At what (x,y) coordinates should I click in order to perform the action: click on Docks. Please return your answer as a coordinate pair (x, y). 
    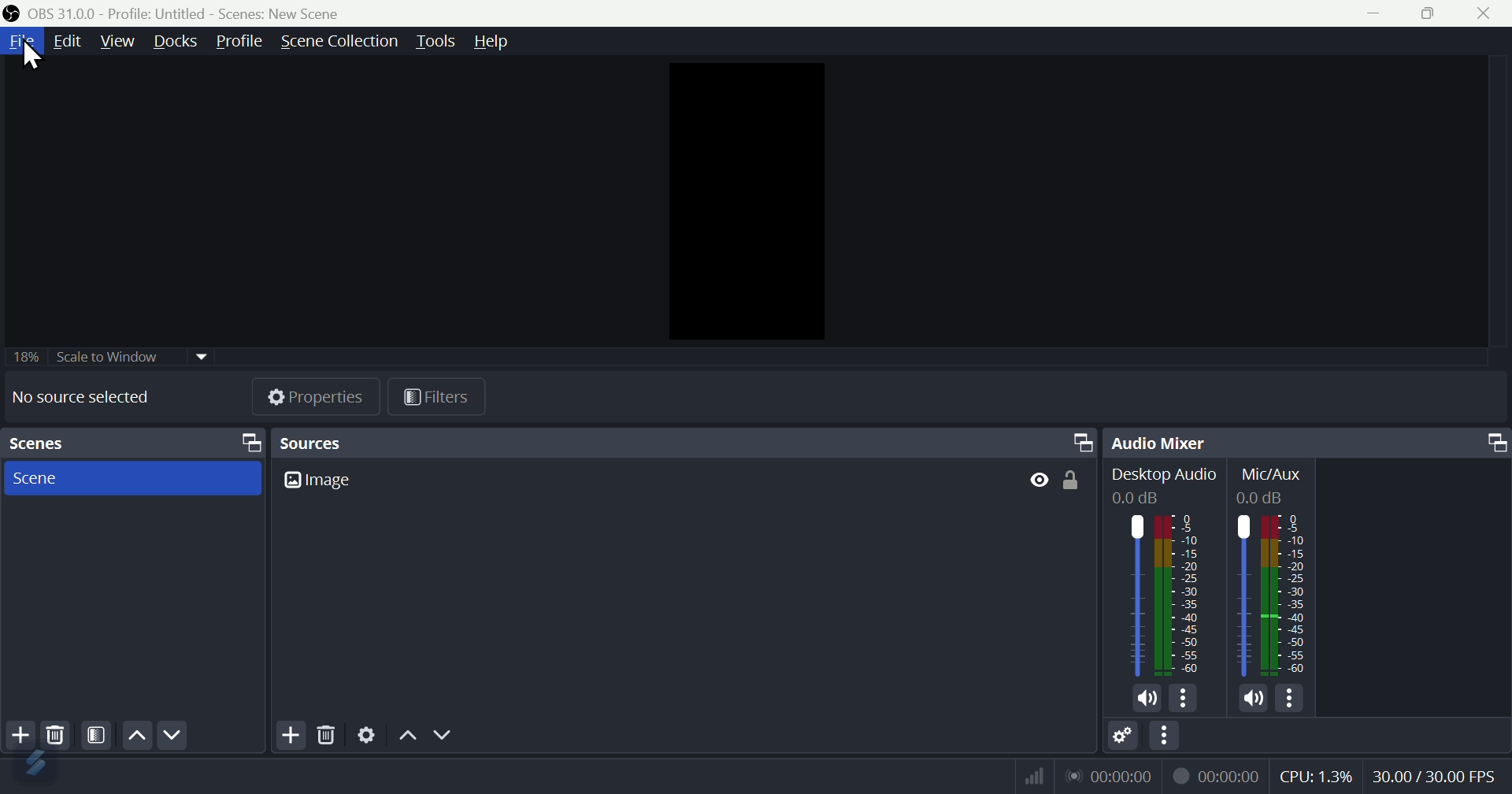
    Looking at the image, I should click on (172, 43).